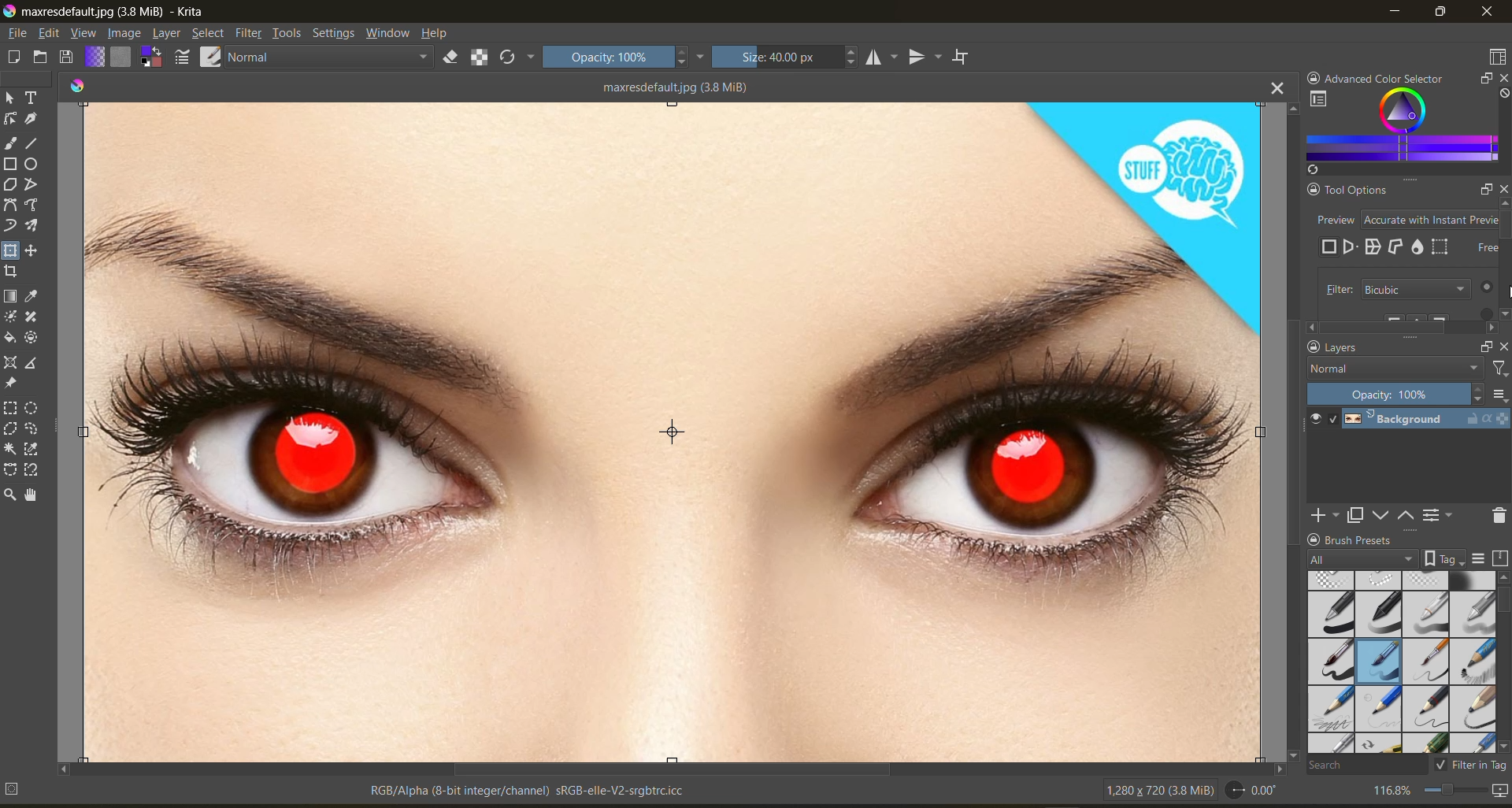 This screenshot has width=1512, height=808. What do you see at coordinates (1384, 513) in the screenshot?
I see `mask down` at bounding box center [1384, 513].